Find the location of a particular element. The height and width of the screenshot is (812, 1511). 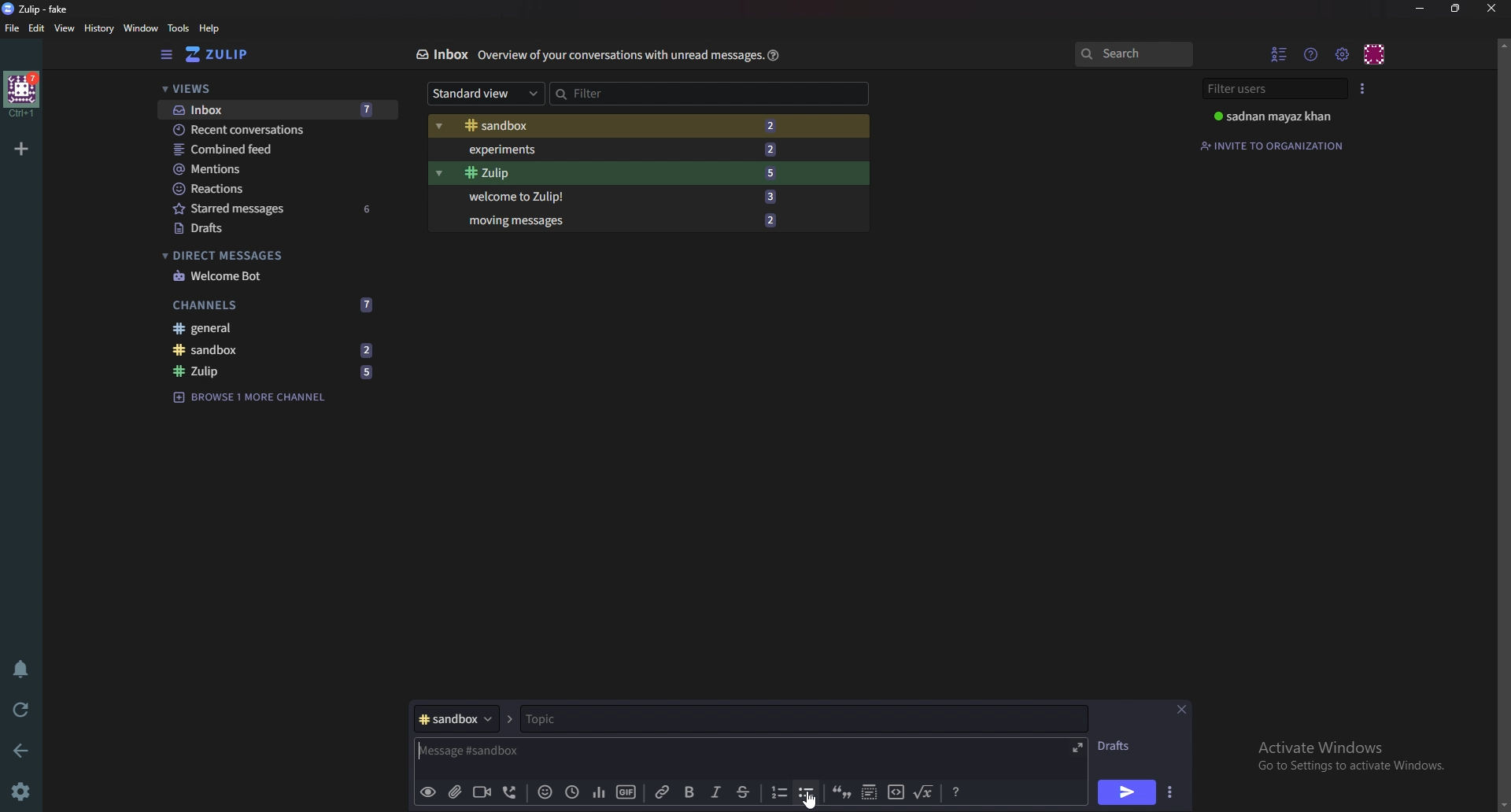

Bullet list is located at coordinates (807, 792).